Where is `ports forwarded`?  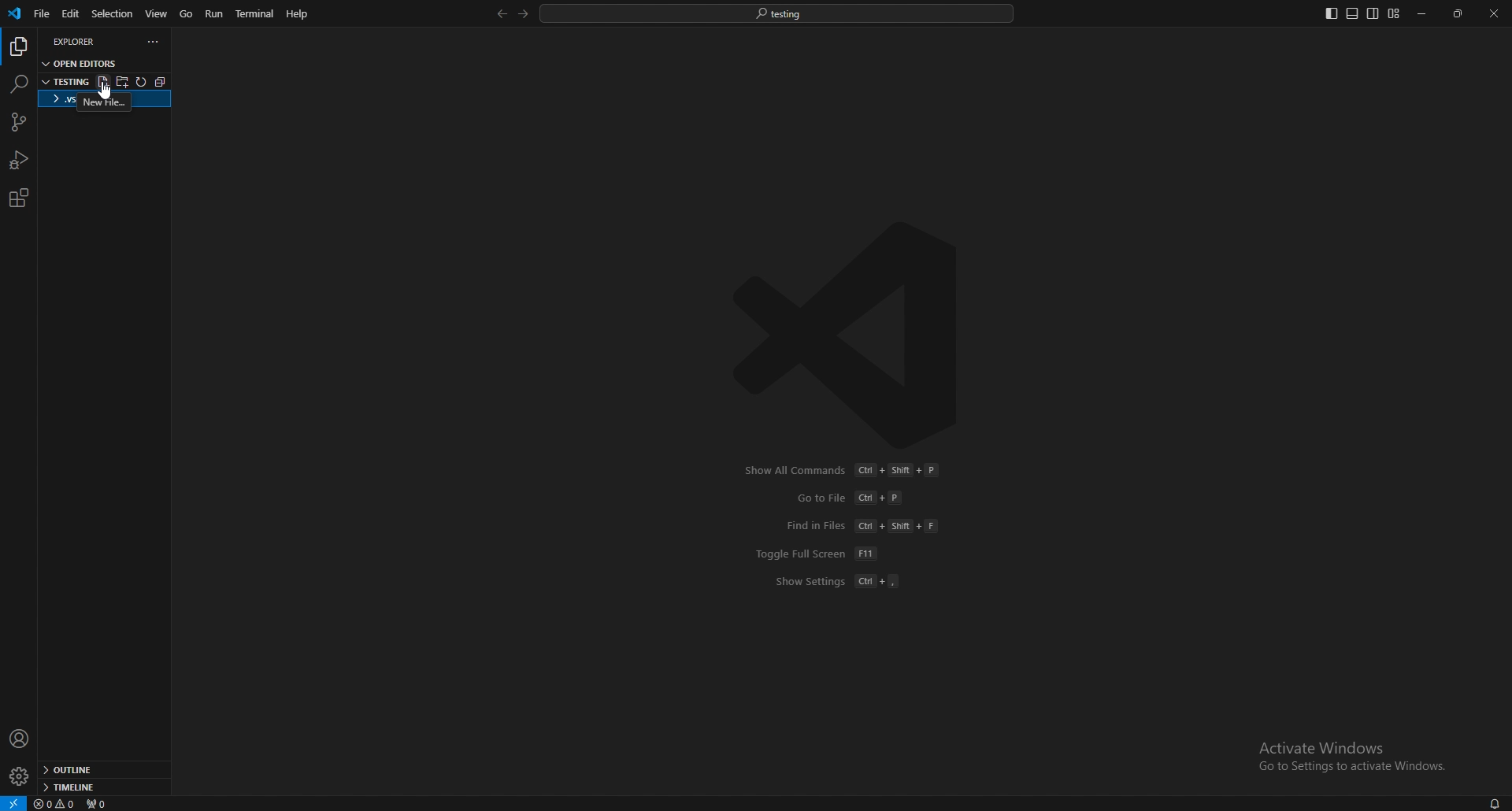 ports forwarded is located at coordinates (103, 804).